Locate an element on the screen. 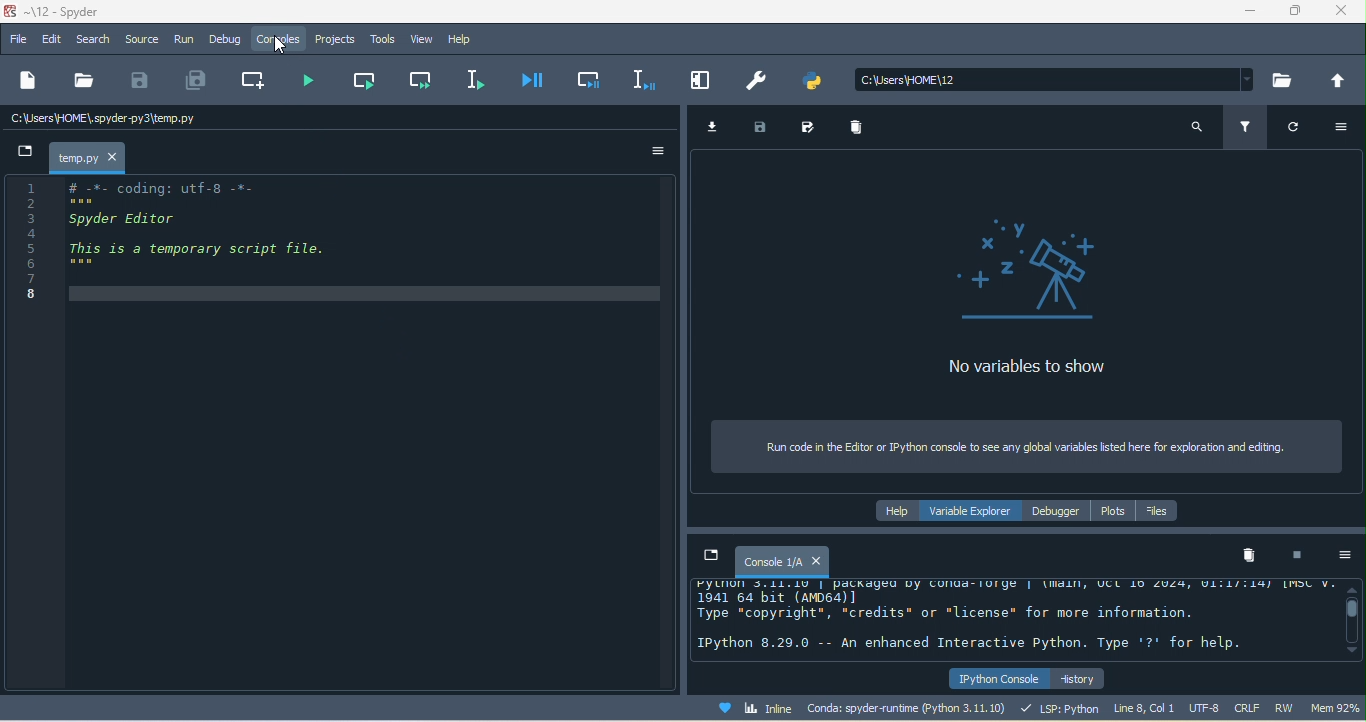 The width and height of the screenshot is (1366, 722). file is located at coordinates (18, 41).